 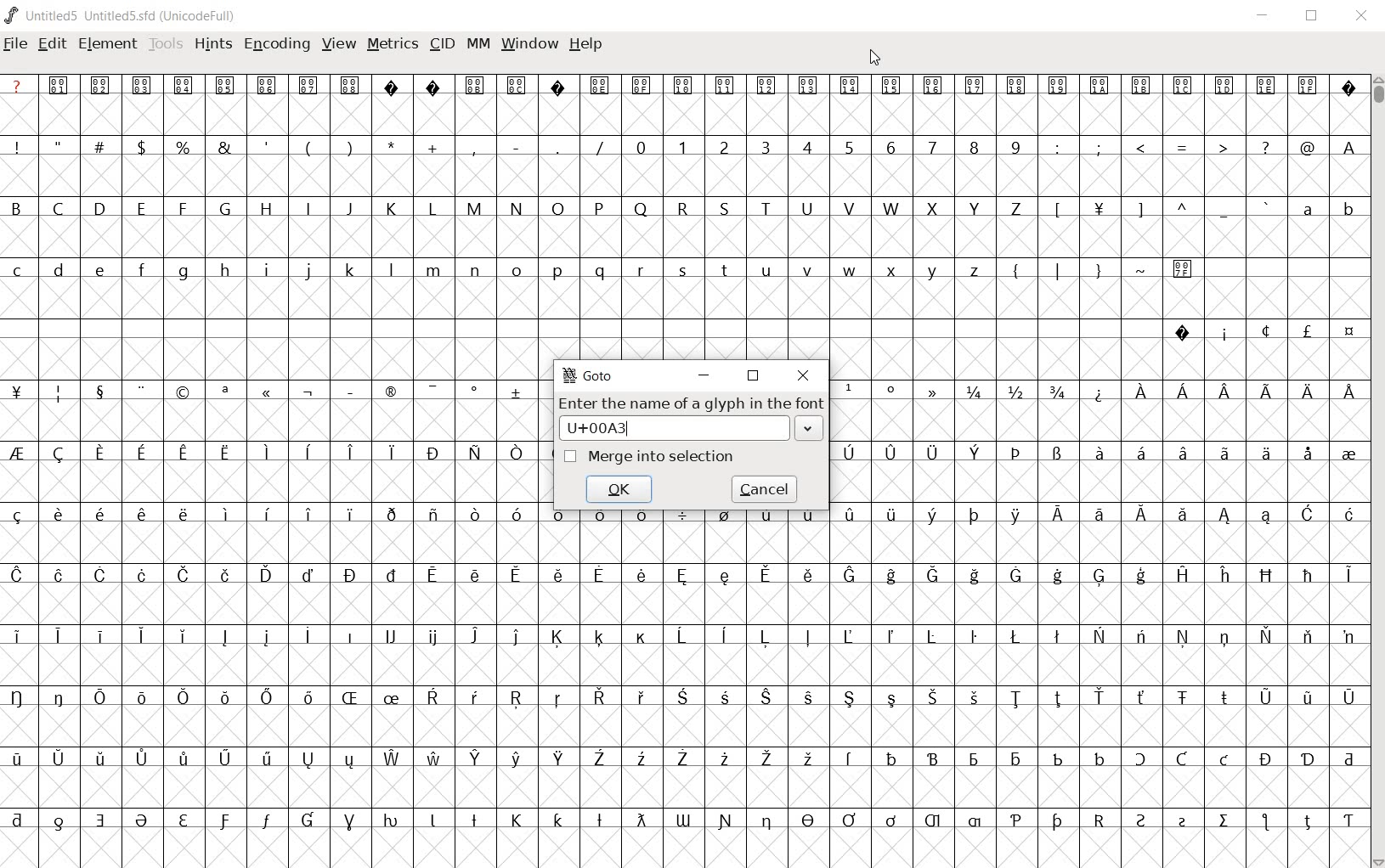 I want to click on Symbol, so click(x=98, y=391).